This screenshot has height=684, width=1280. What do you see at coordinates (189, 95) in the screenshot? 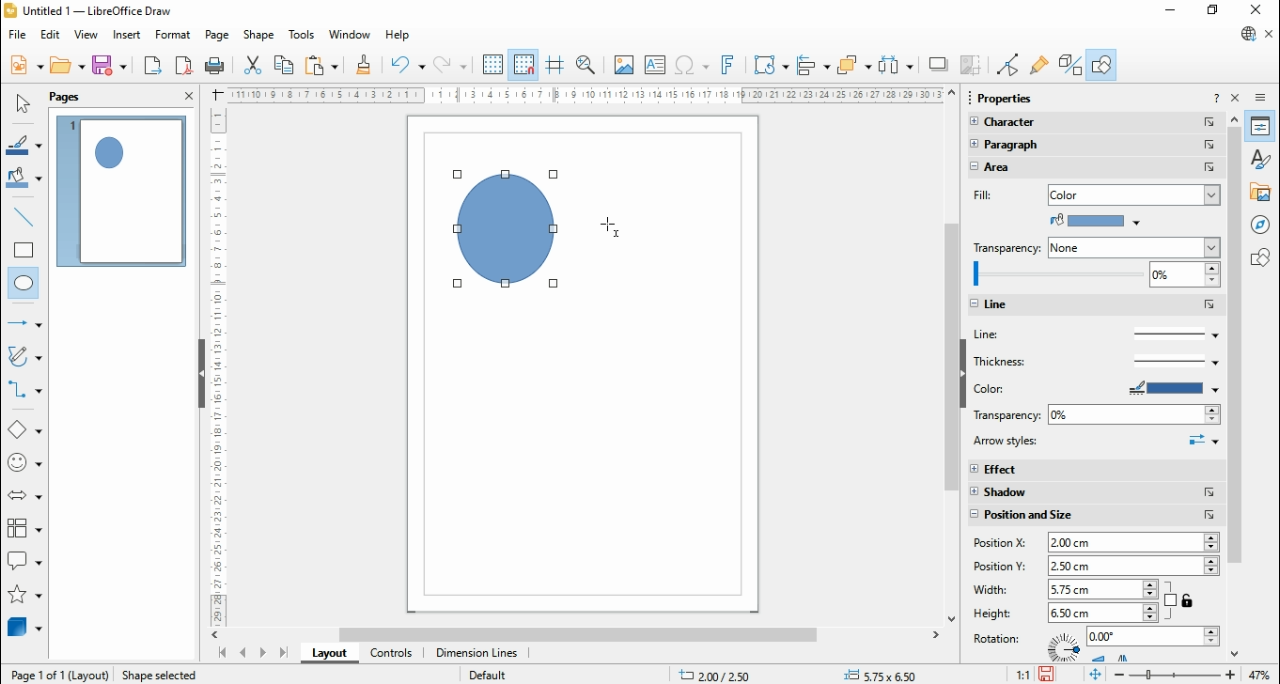
I see `close panel` at bounding box center [189, 95].